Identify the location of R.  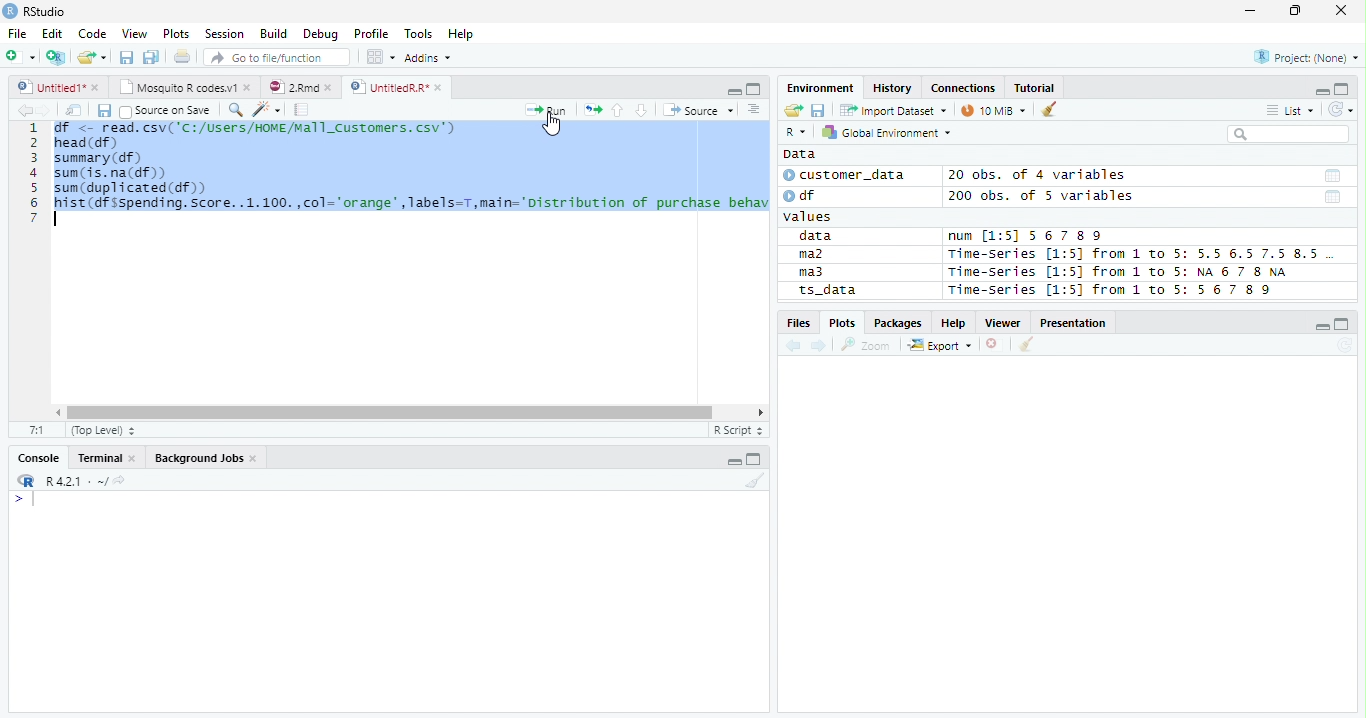
(24, 481).